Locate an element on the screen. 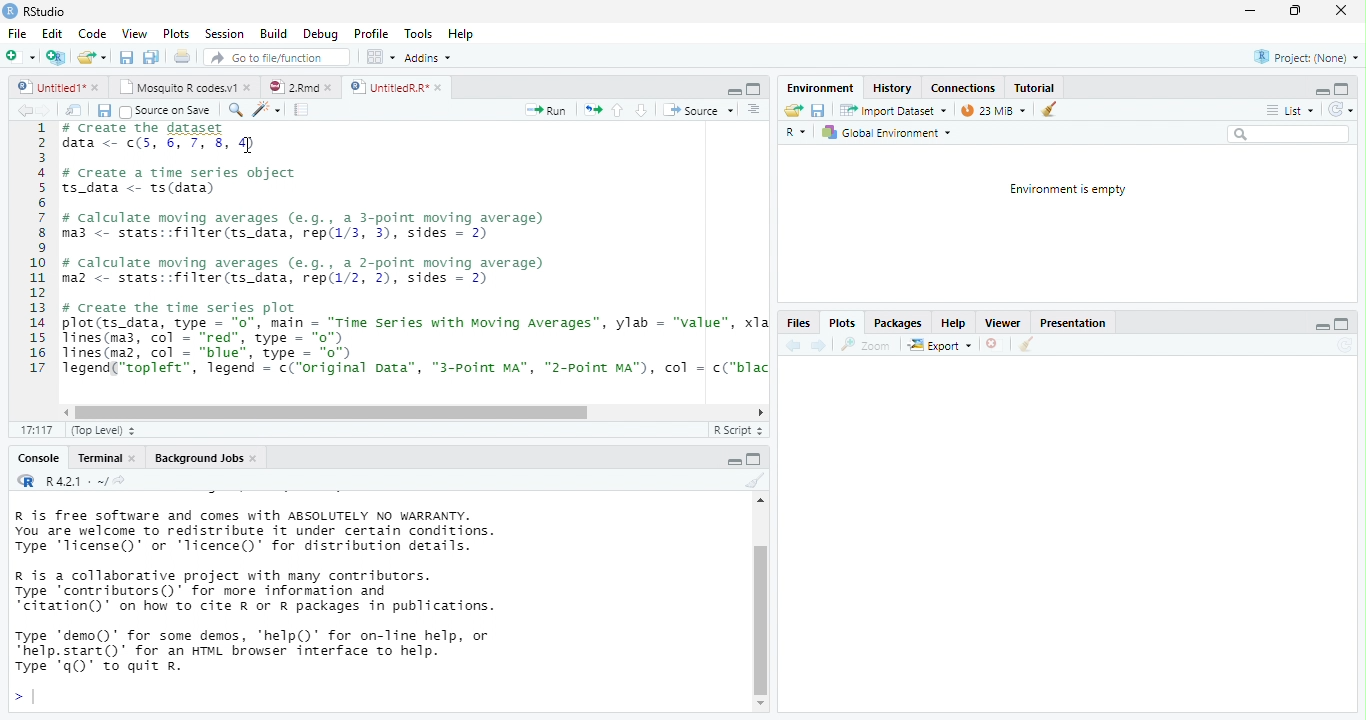 Image resolution: width=1366 pixels, height=720 pixels. close is located at coordinates (995, 346).